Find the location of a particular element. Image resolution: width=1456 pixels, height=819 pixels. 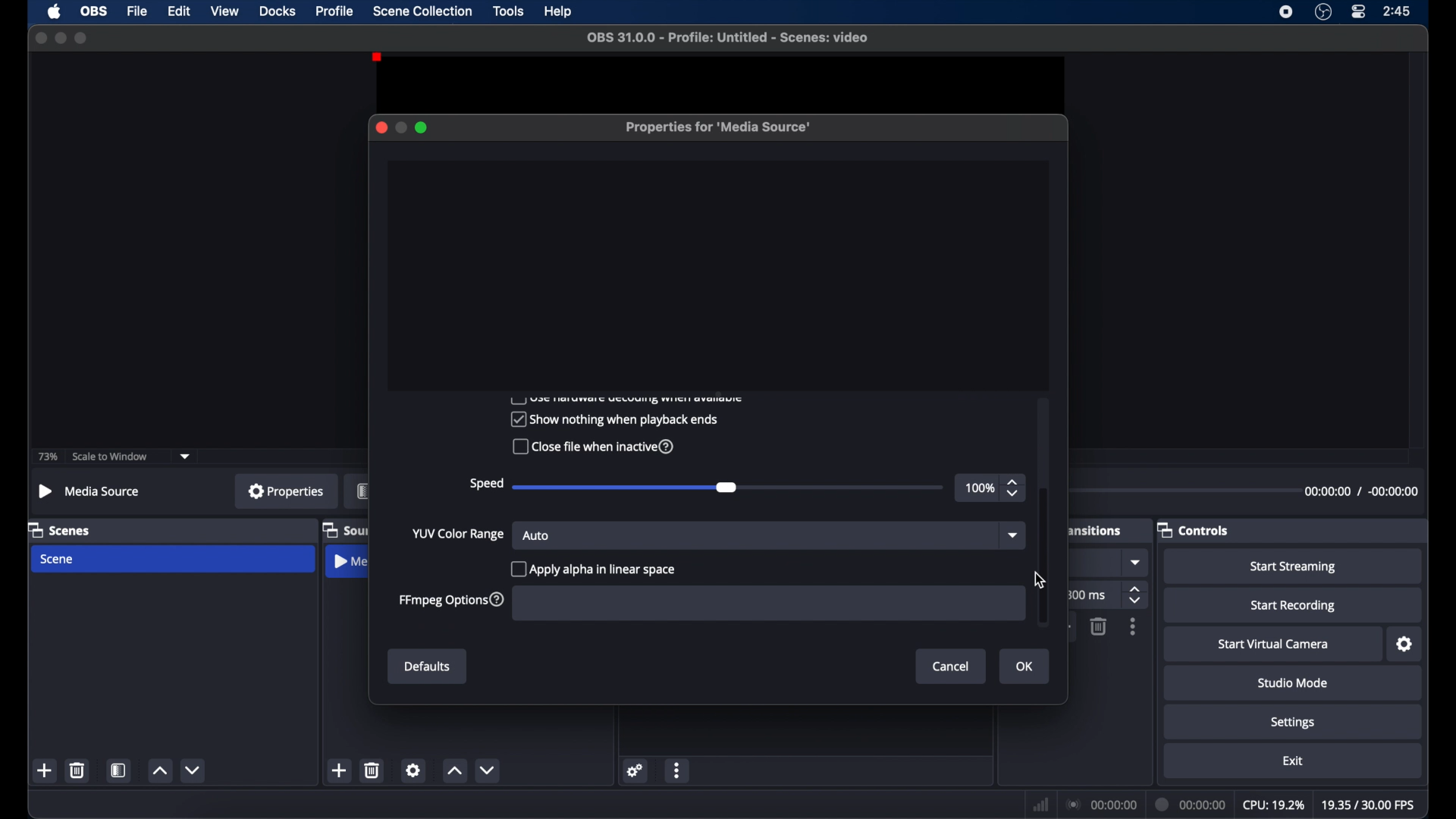

docks is located at coordinates (278, 11).